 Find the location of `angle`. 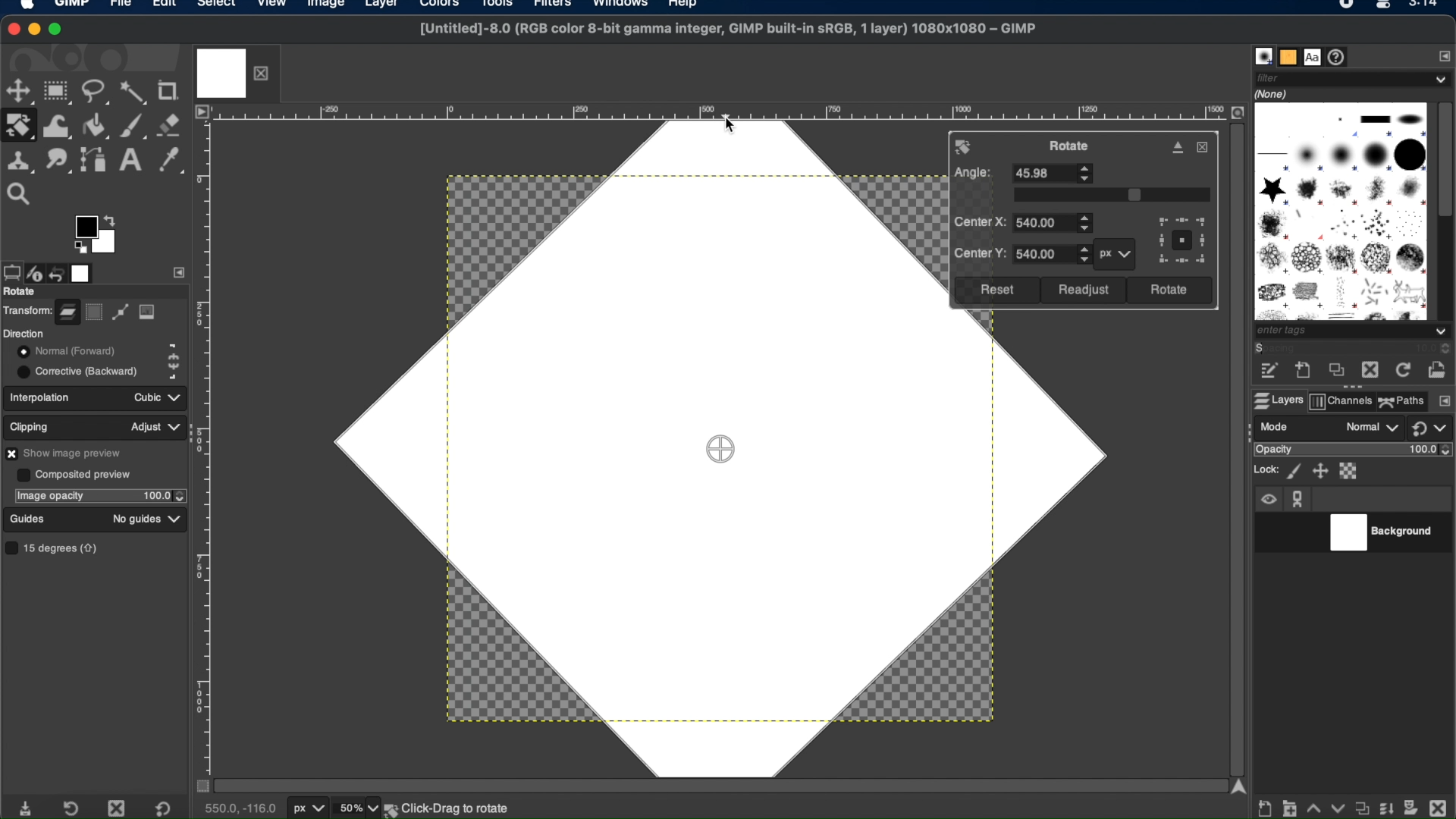

angle is located at coordinates (1023, 174).